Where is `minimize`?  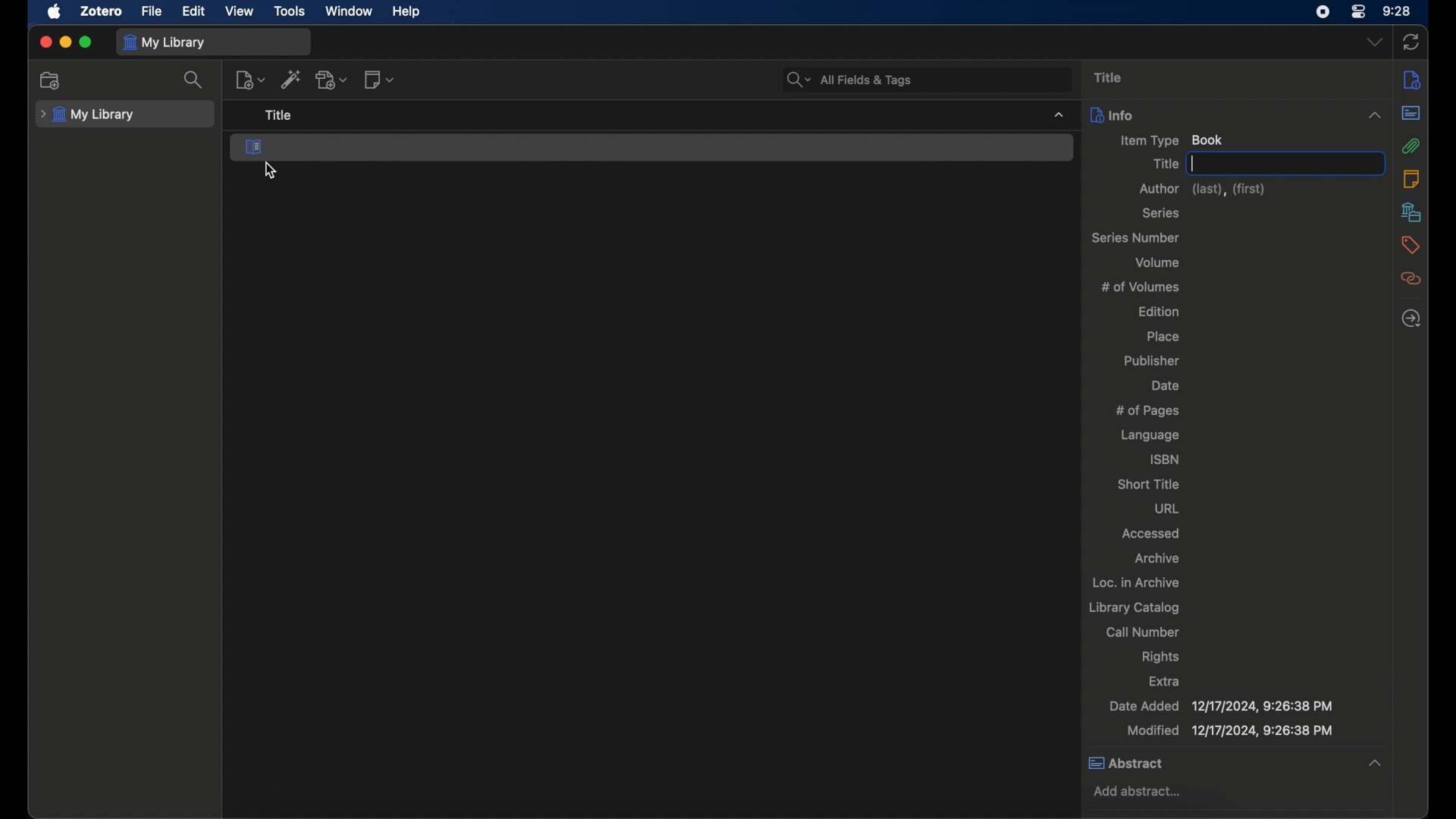
minimize is located at coordinates (65, 42).